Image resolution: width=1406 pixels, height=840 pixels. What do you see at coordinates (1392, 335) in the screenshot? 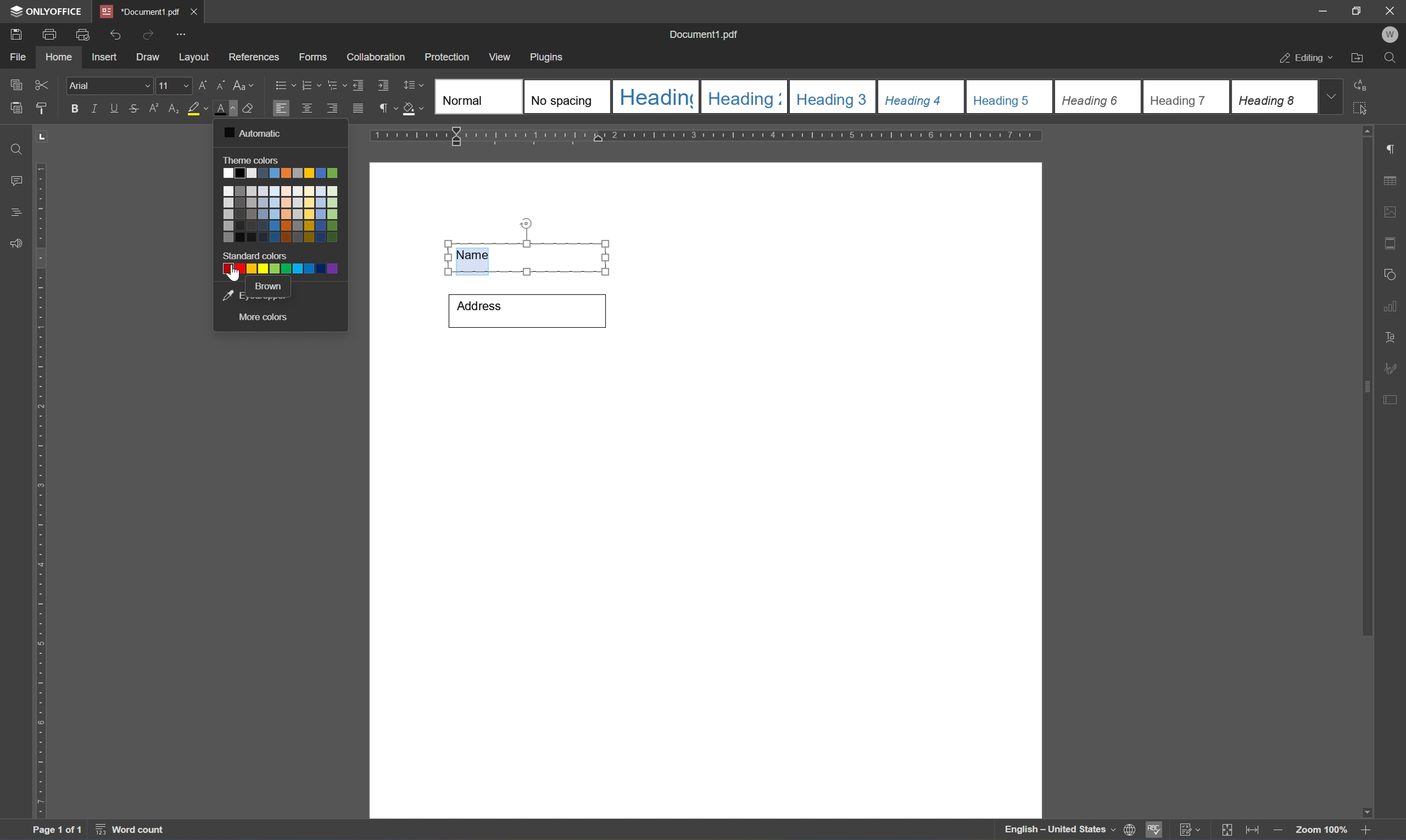
I see `text art settings` at bounding box center [1392, 335].